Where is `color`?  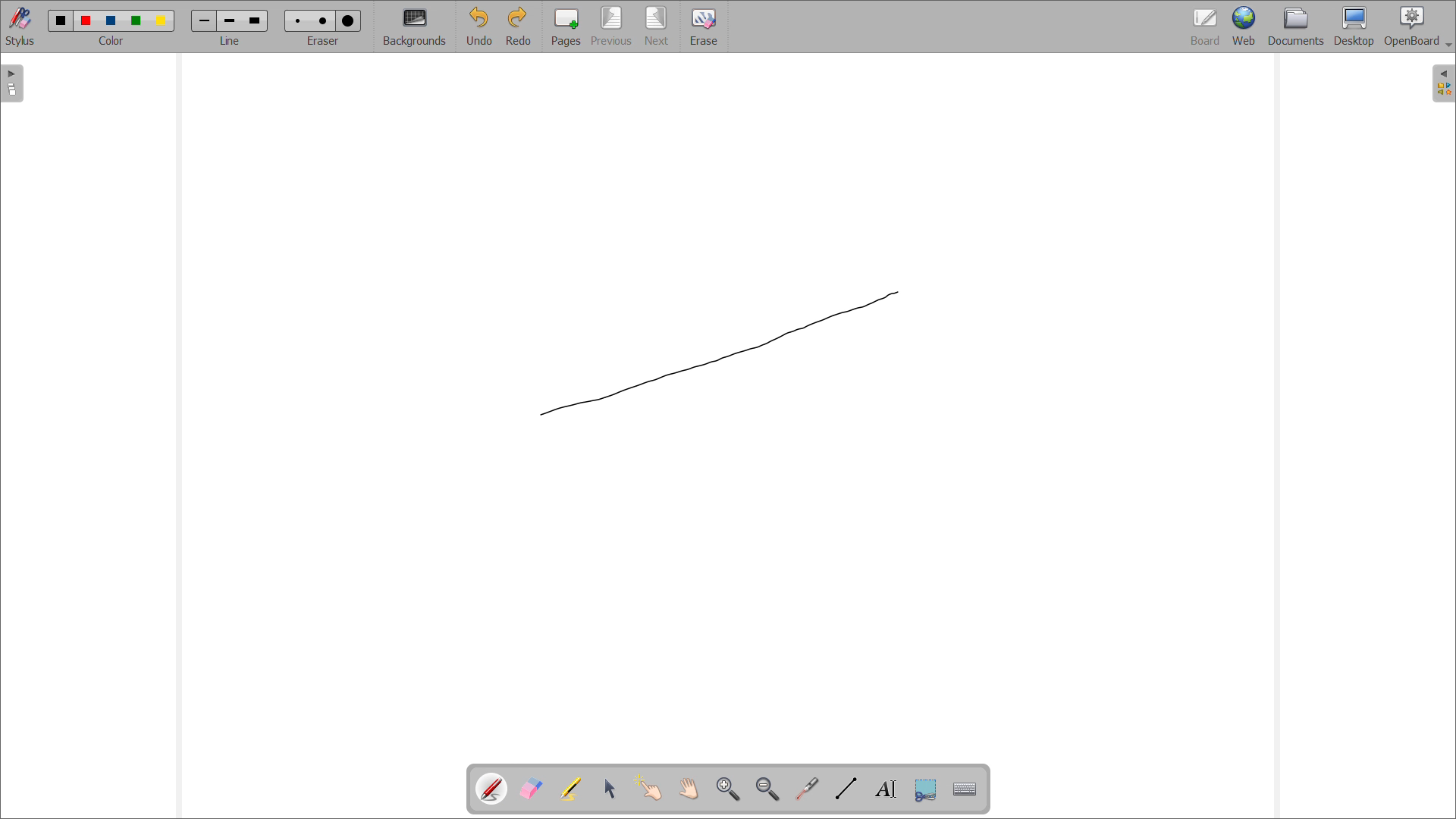
color is located at coordinates (138, 21).